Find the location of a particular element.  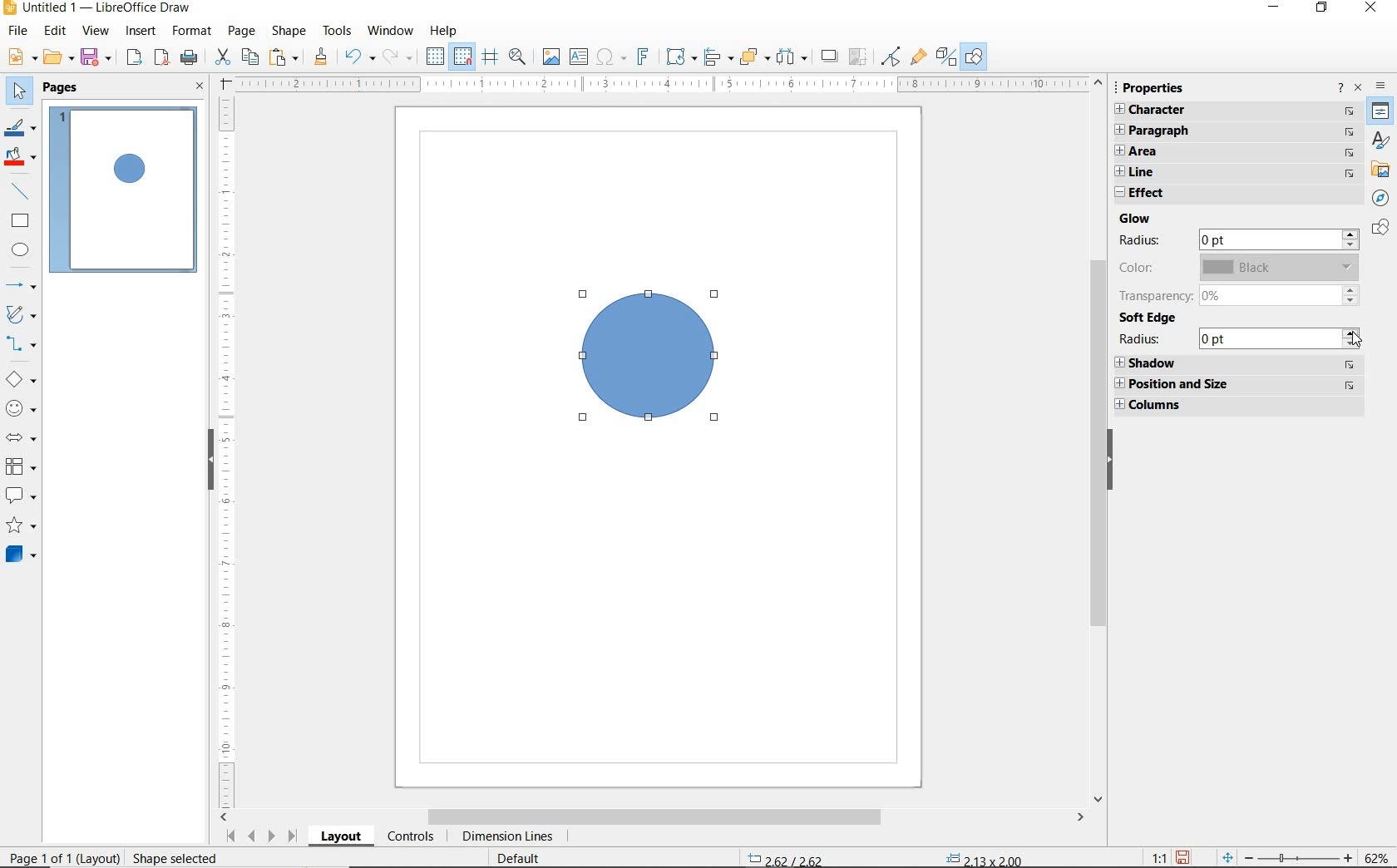

Adjust margins is located at coordinates (224, 81).